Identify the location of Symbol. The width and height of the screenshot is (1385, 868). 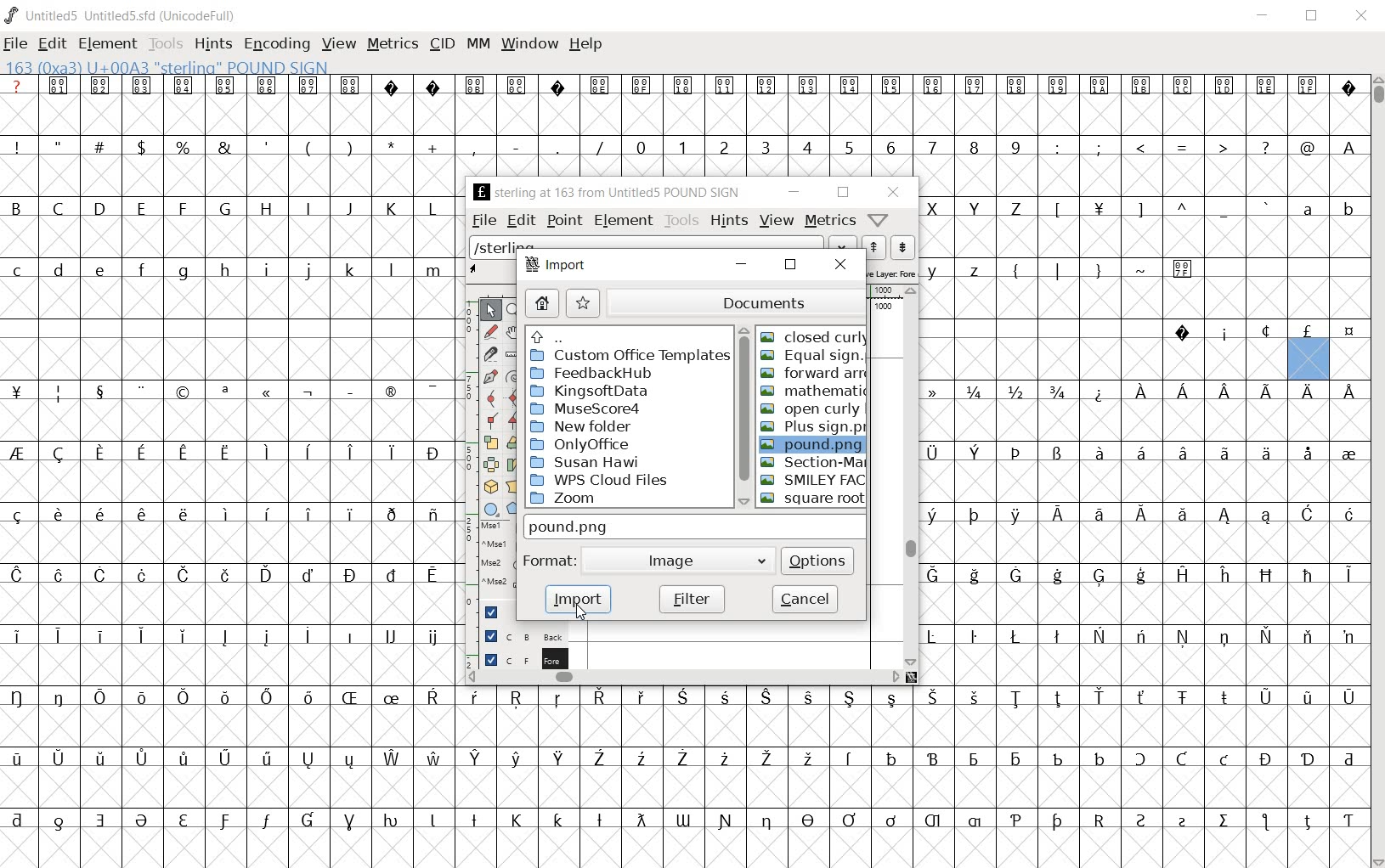
(140, 391).